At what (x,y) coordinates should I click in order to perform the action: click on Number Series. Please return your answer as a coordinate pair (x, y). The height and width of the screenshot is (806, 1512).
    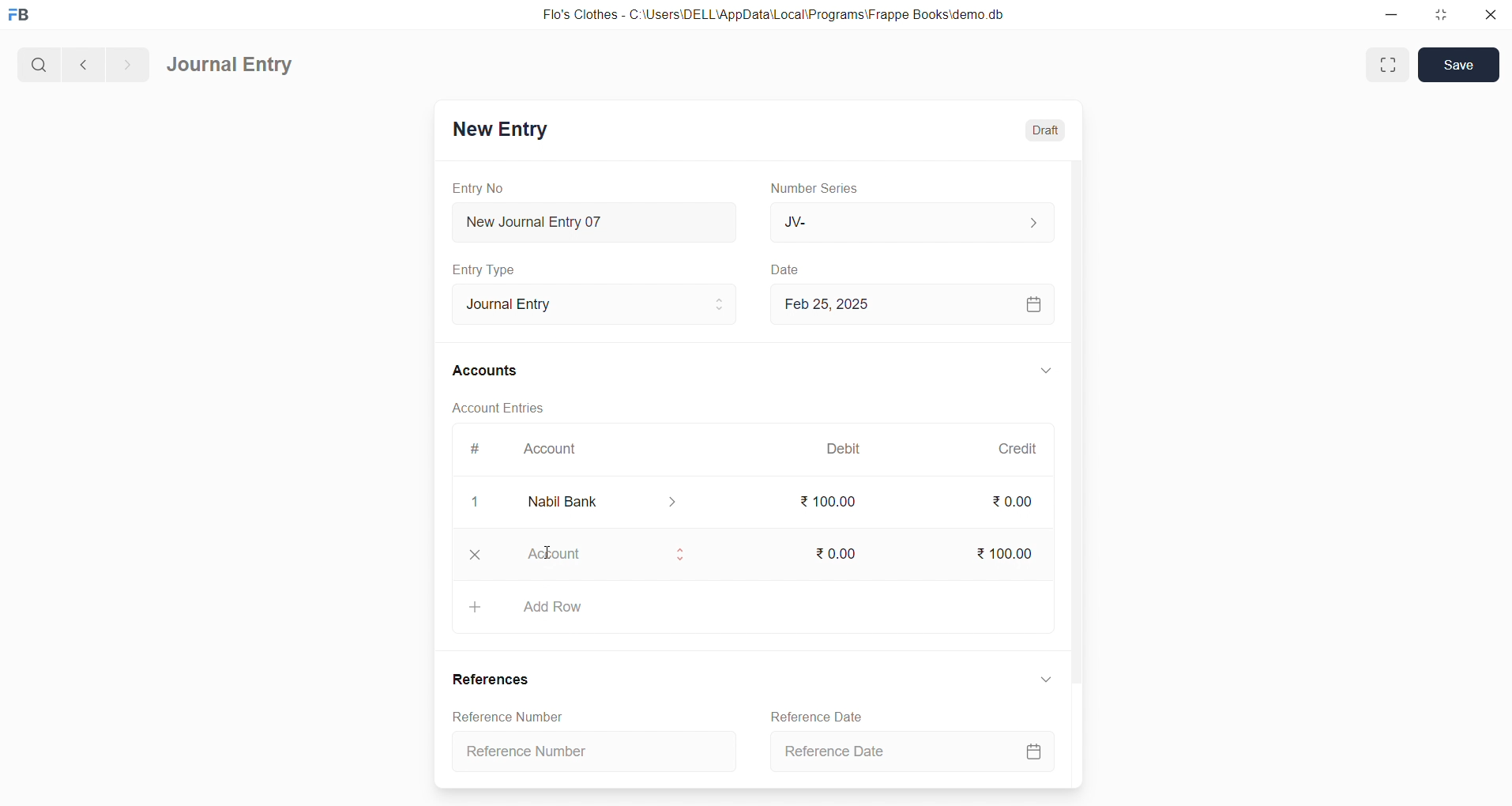
    Looking at the image, I should click on (819, 189).